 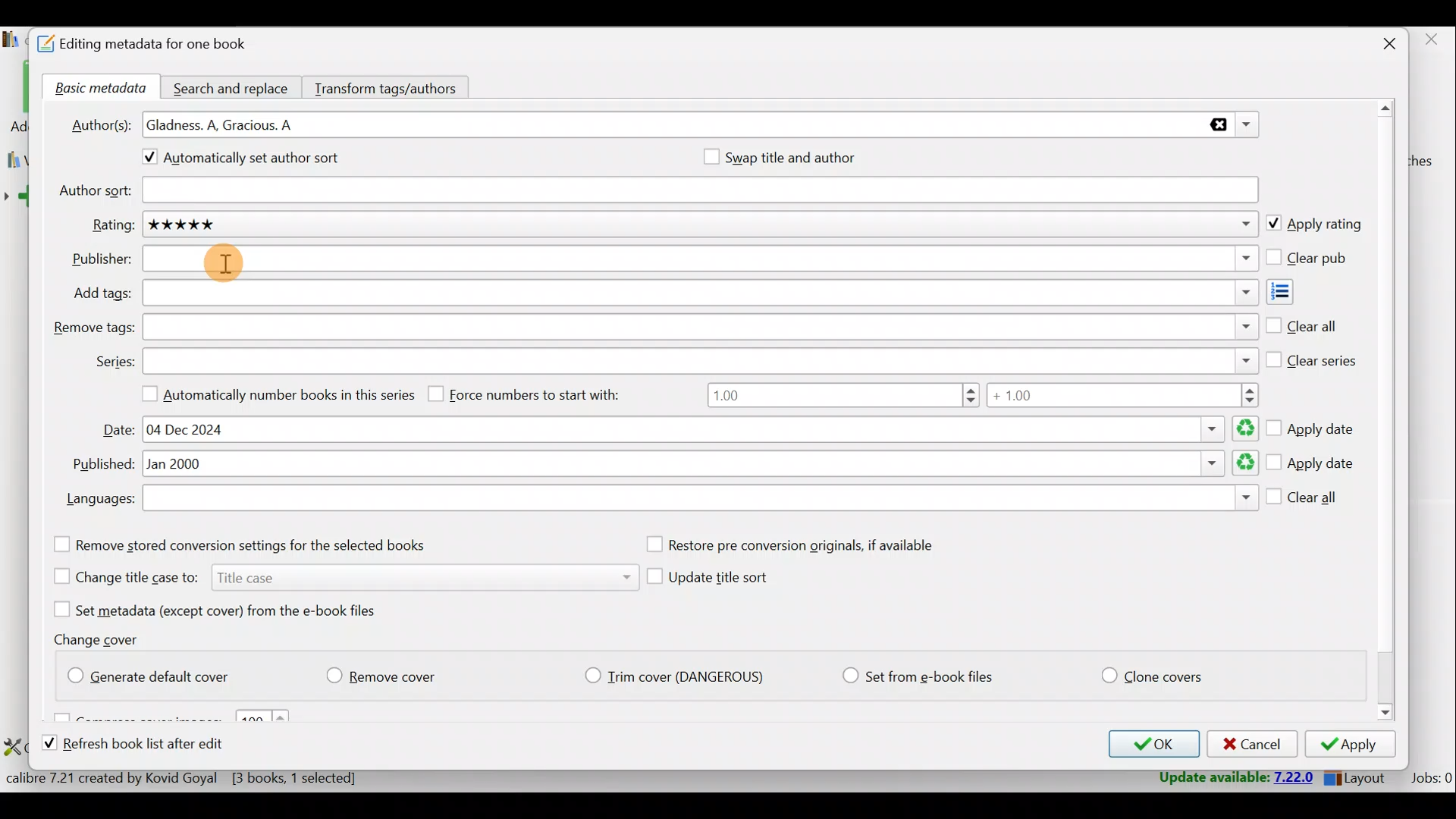 I want to click on Remove tags, so click(x=698, y=327).